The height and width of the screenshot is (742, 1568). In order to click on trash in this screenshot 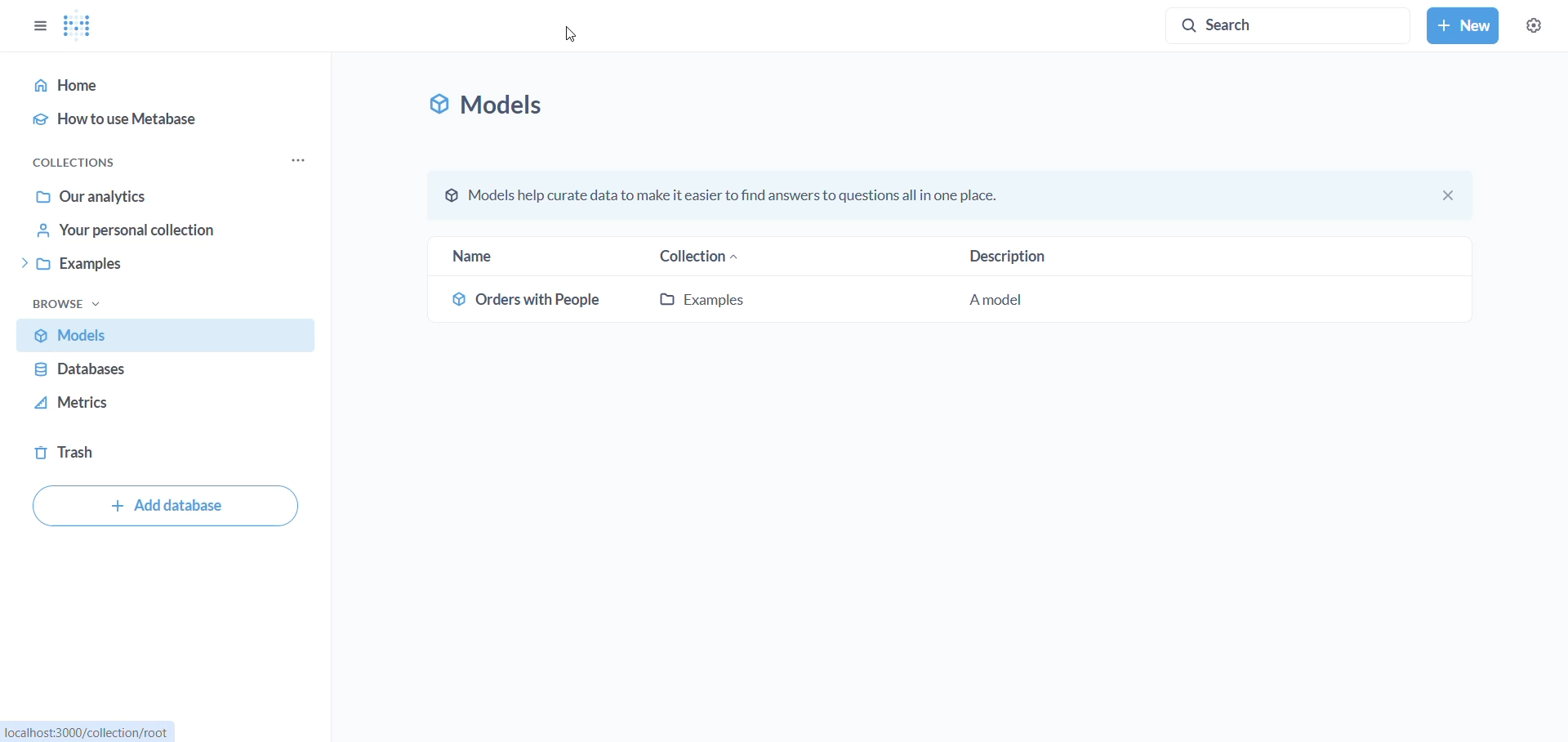, I will do `click(159, 451)`.